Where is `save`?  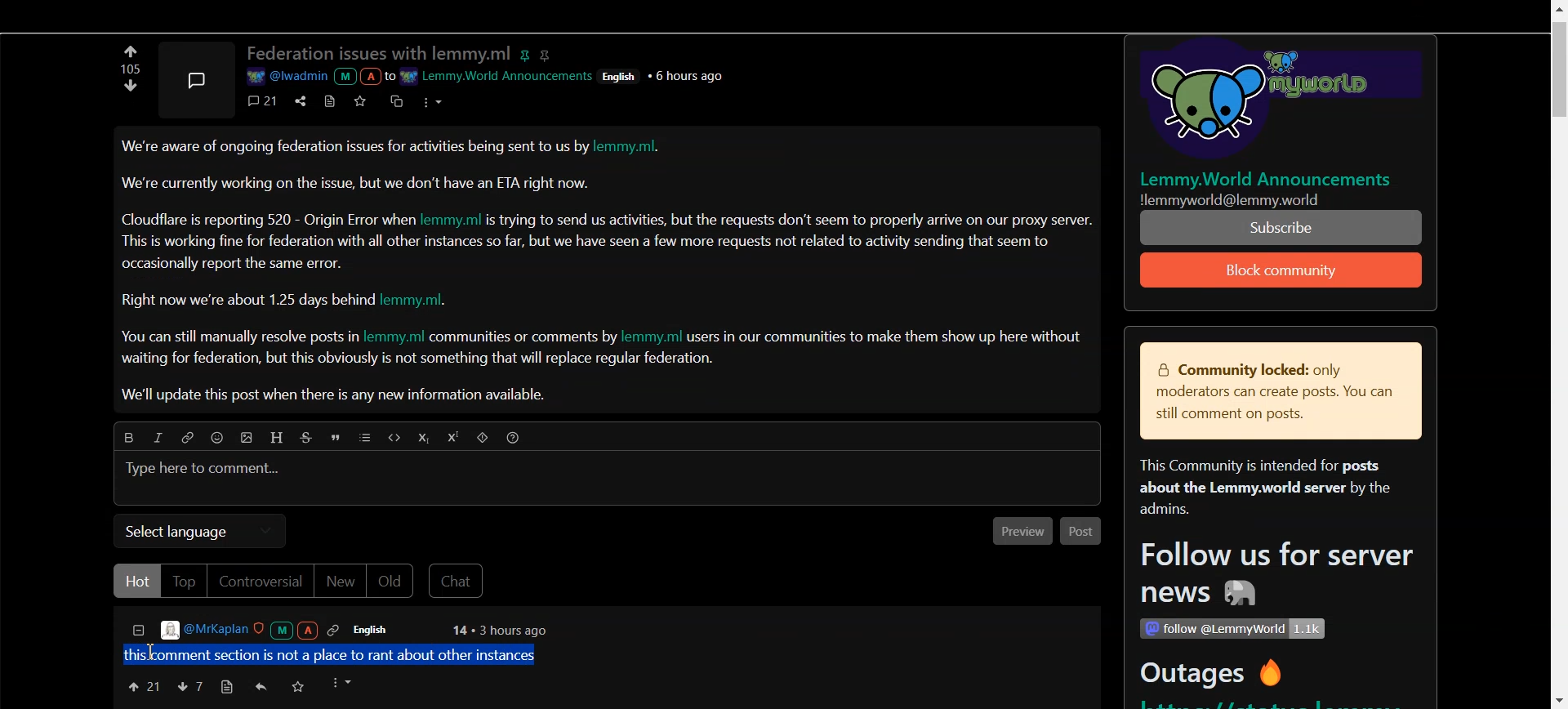
save is located at coordinates (363, 100).